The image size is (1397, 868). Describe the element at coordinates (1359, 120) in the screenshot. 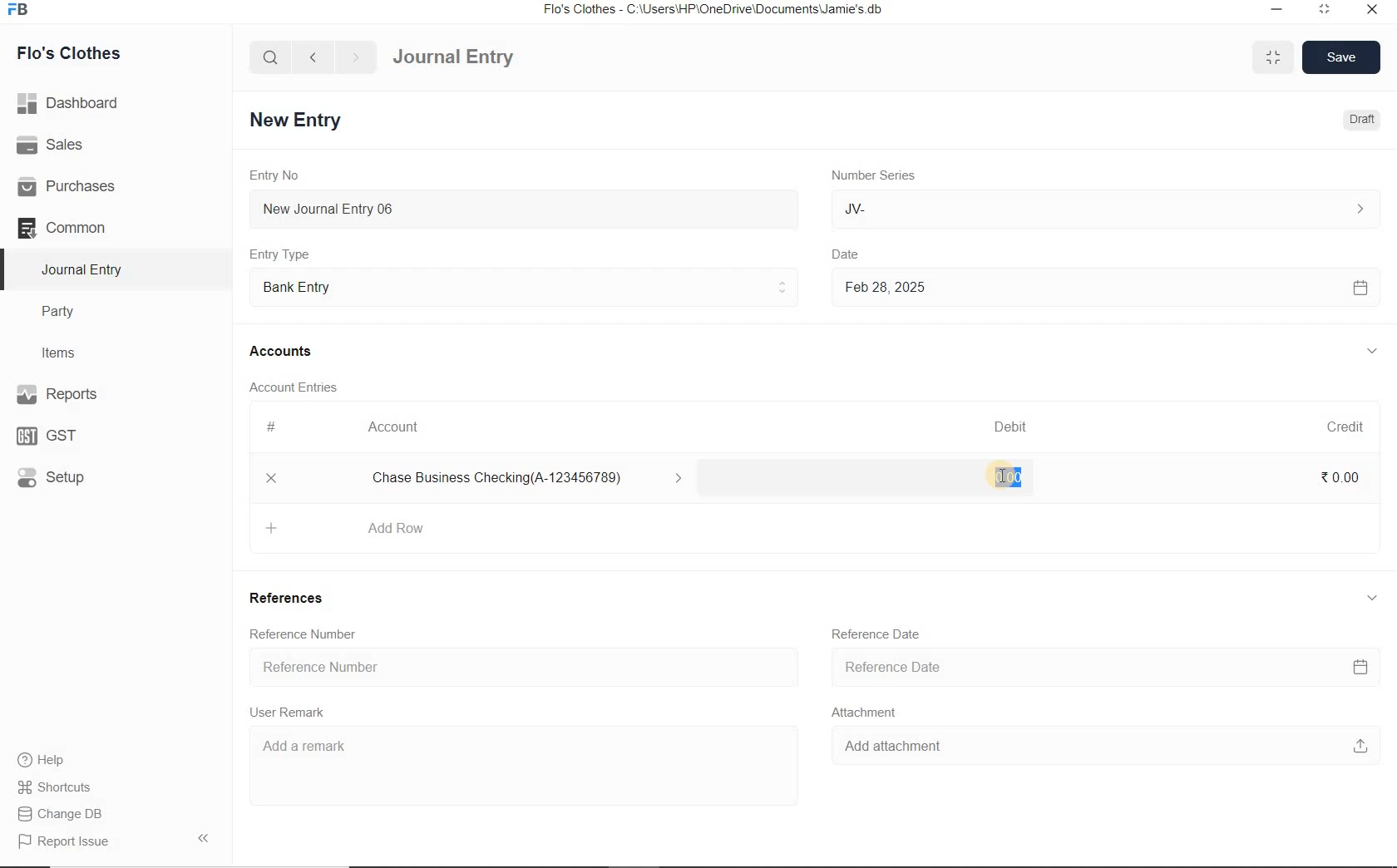

I see `Draft` at that location.